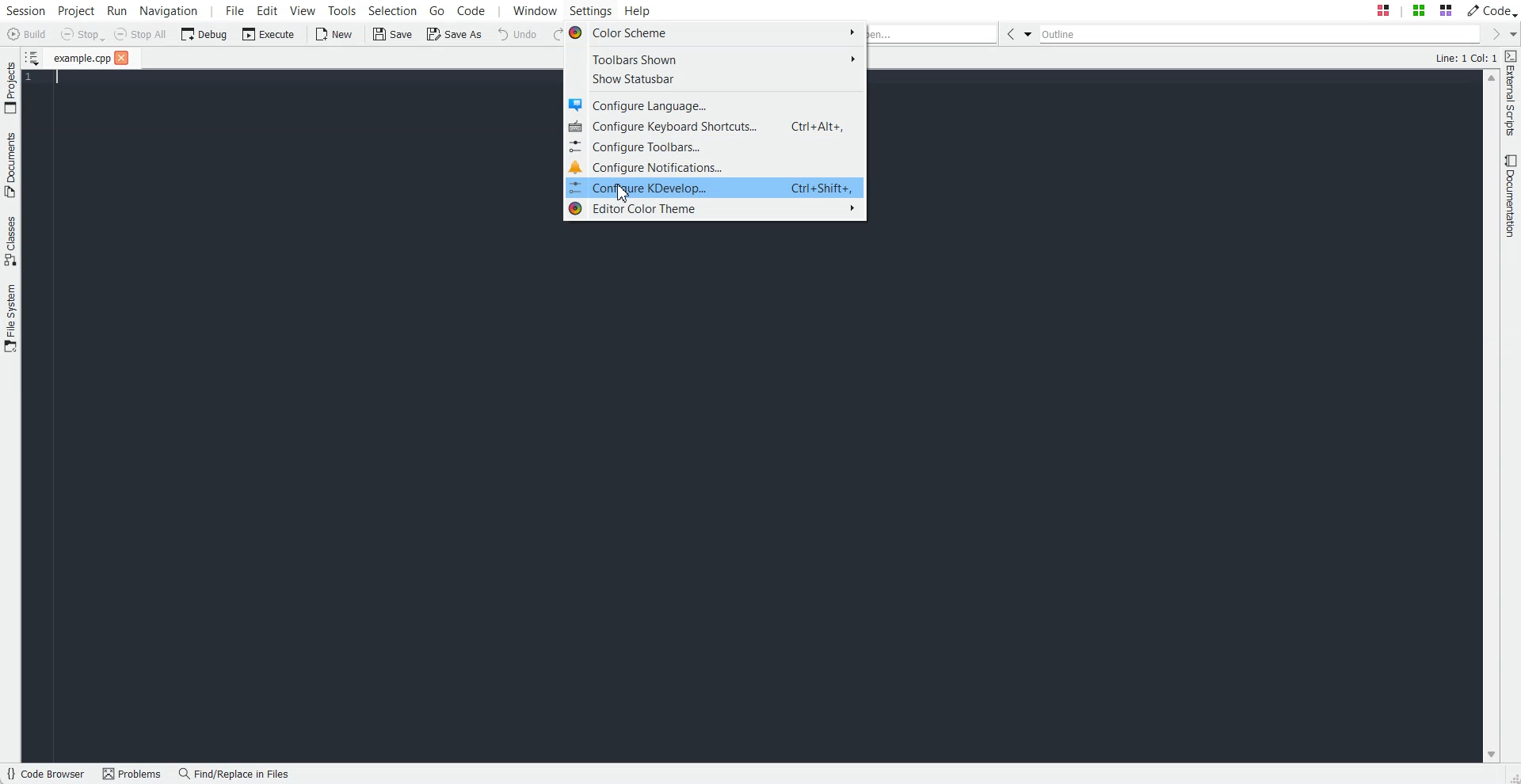 This screenshot has height=784, width=1521. Describe the element at coordinates (1511, 196) in the screenshot. I see `Documentation` at that location.